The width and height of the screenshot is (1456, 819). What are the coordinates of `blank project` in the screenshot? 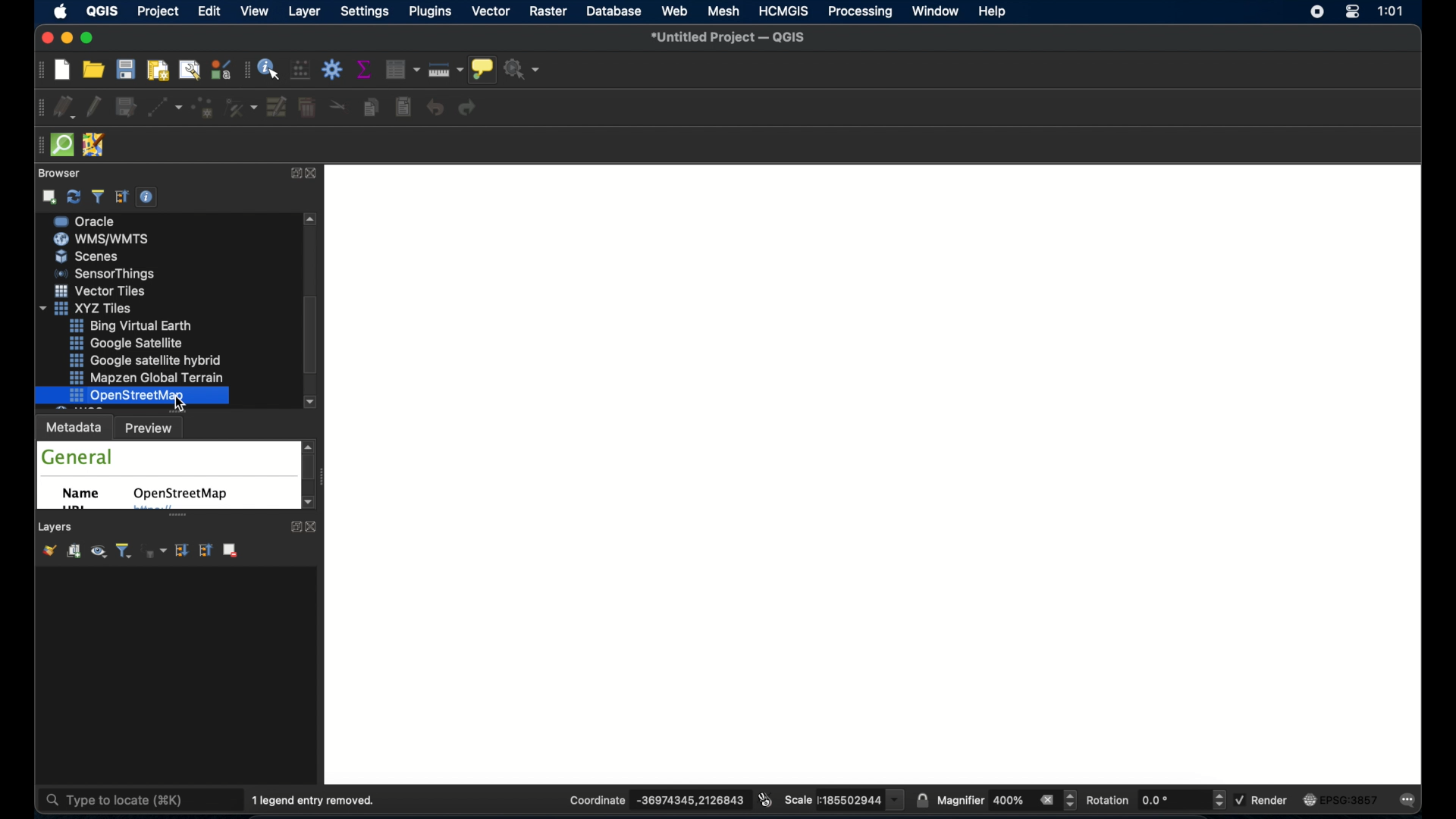 It's located at (879, 472).